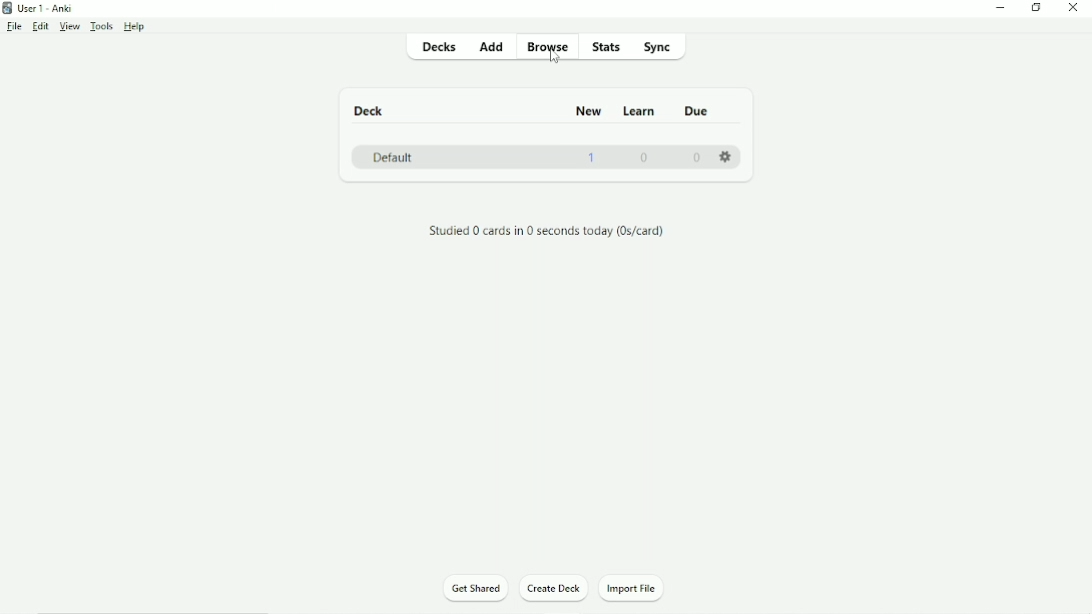 The height and width of the screenshot is (614, 1092). I want to click on Default, so click(393, 158).